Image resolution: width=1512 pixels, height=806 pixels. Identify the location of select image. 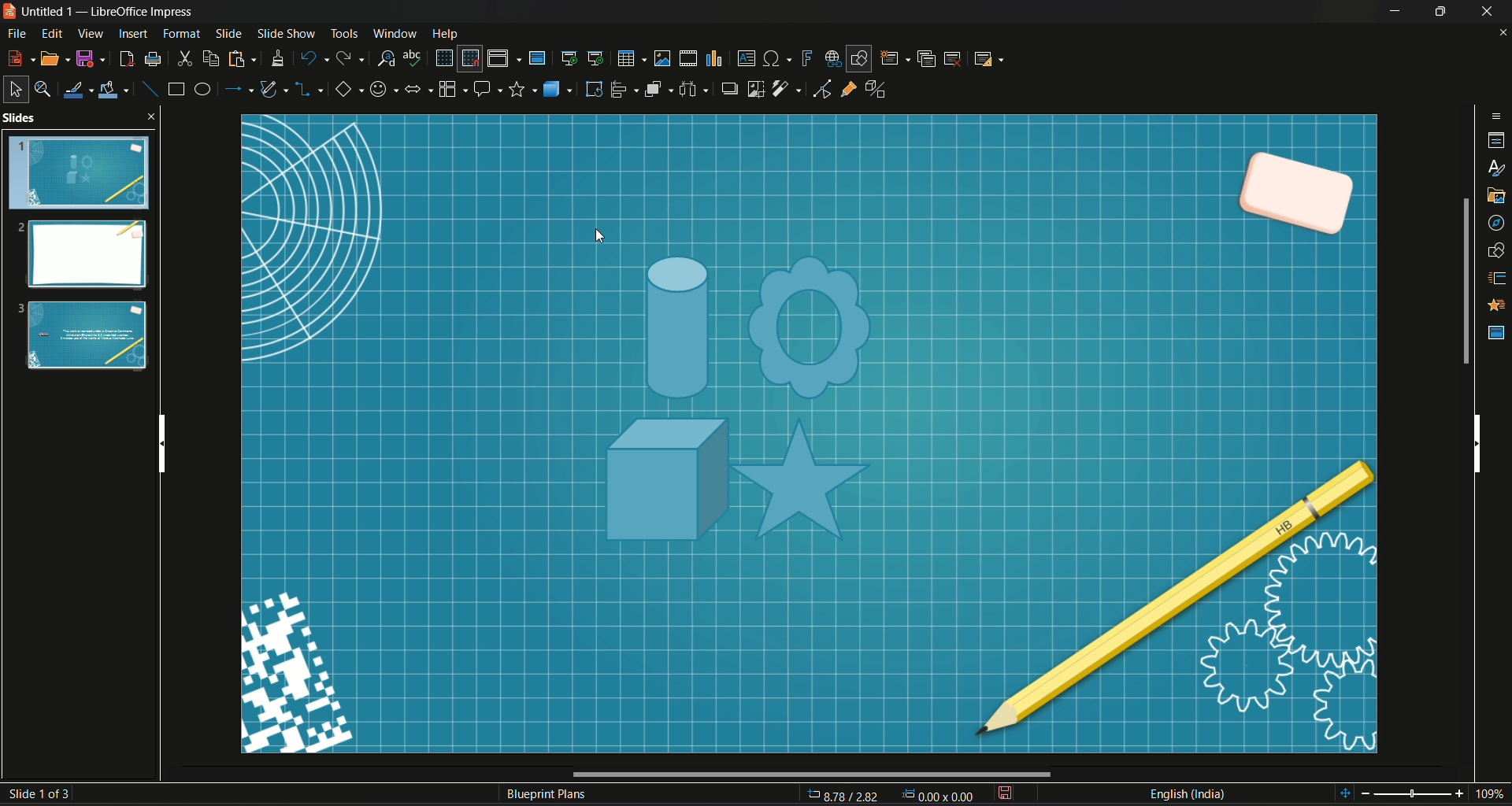
(693, 87).